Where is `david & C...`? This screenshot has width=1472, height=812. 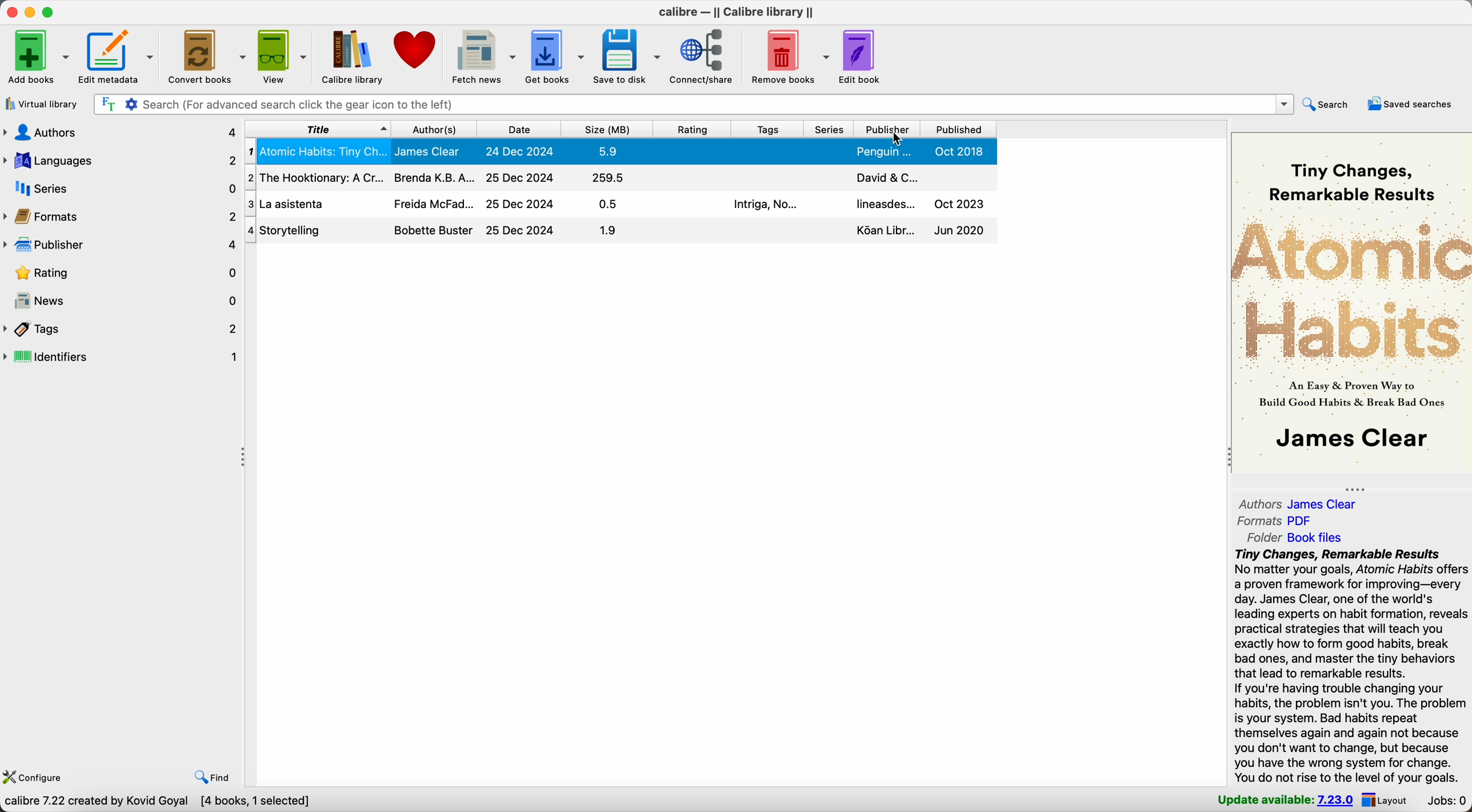
david & C... is located at coordinates (886, 178).